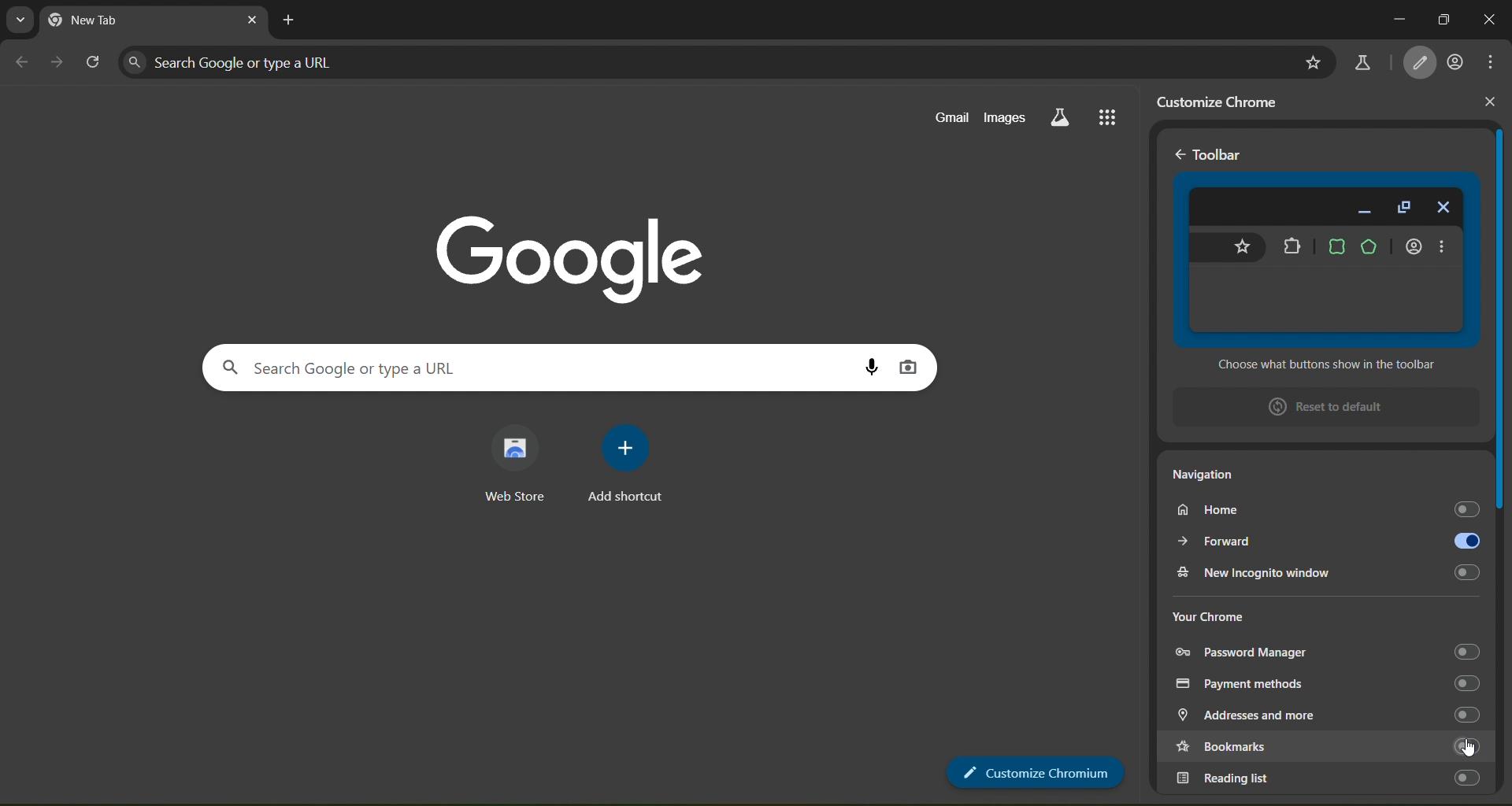 The image size is (1512, 806). I want to click on Google, so click(563, 246).